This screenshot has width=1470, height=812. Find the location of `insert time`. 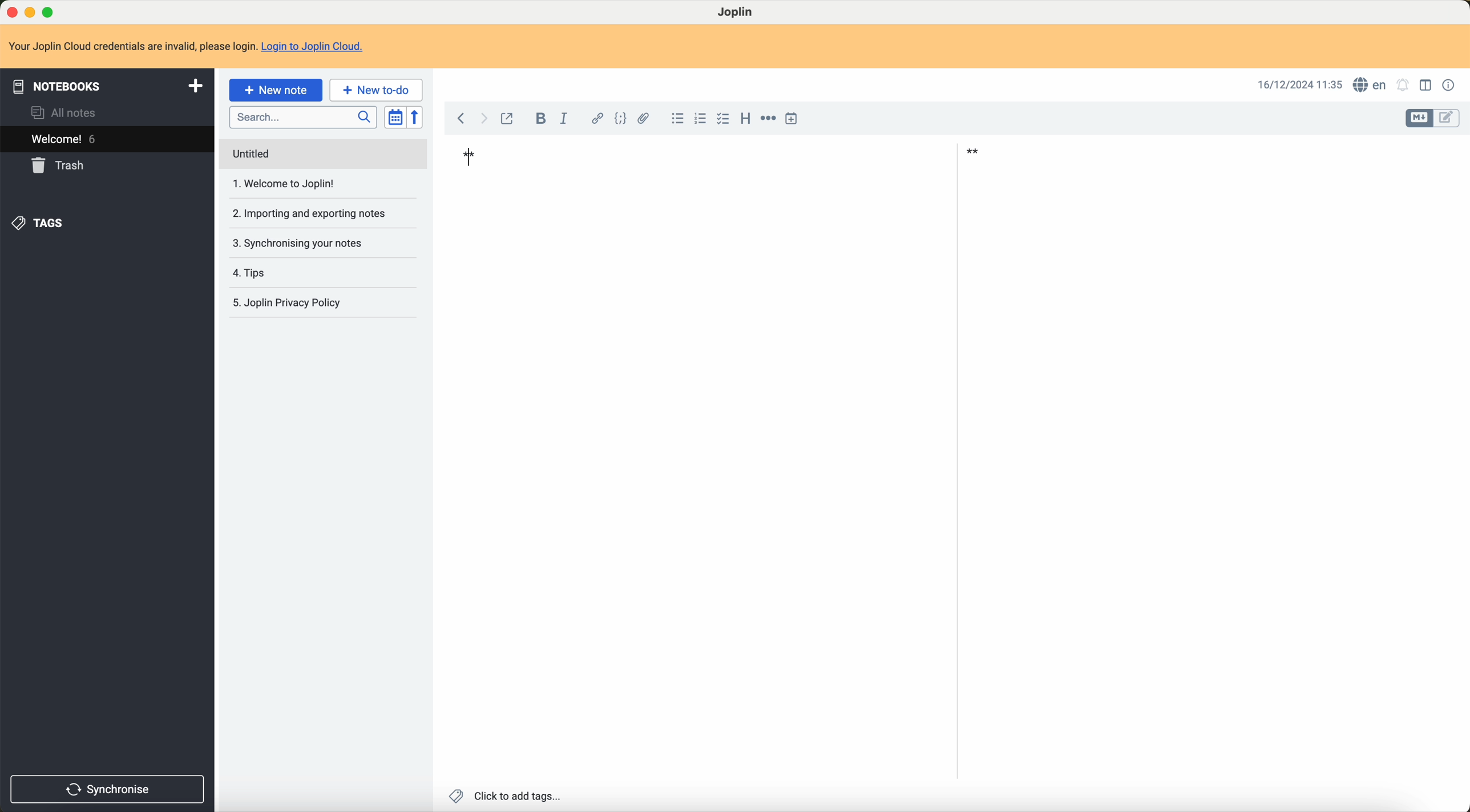

insert time is located at coordinates (797, 118).